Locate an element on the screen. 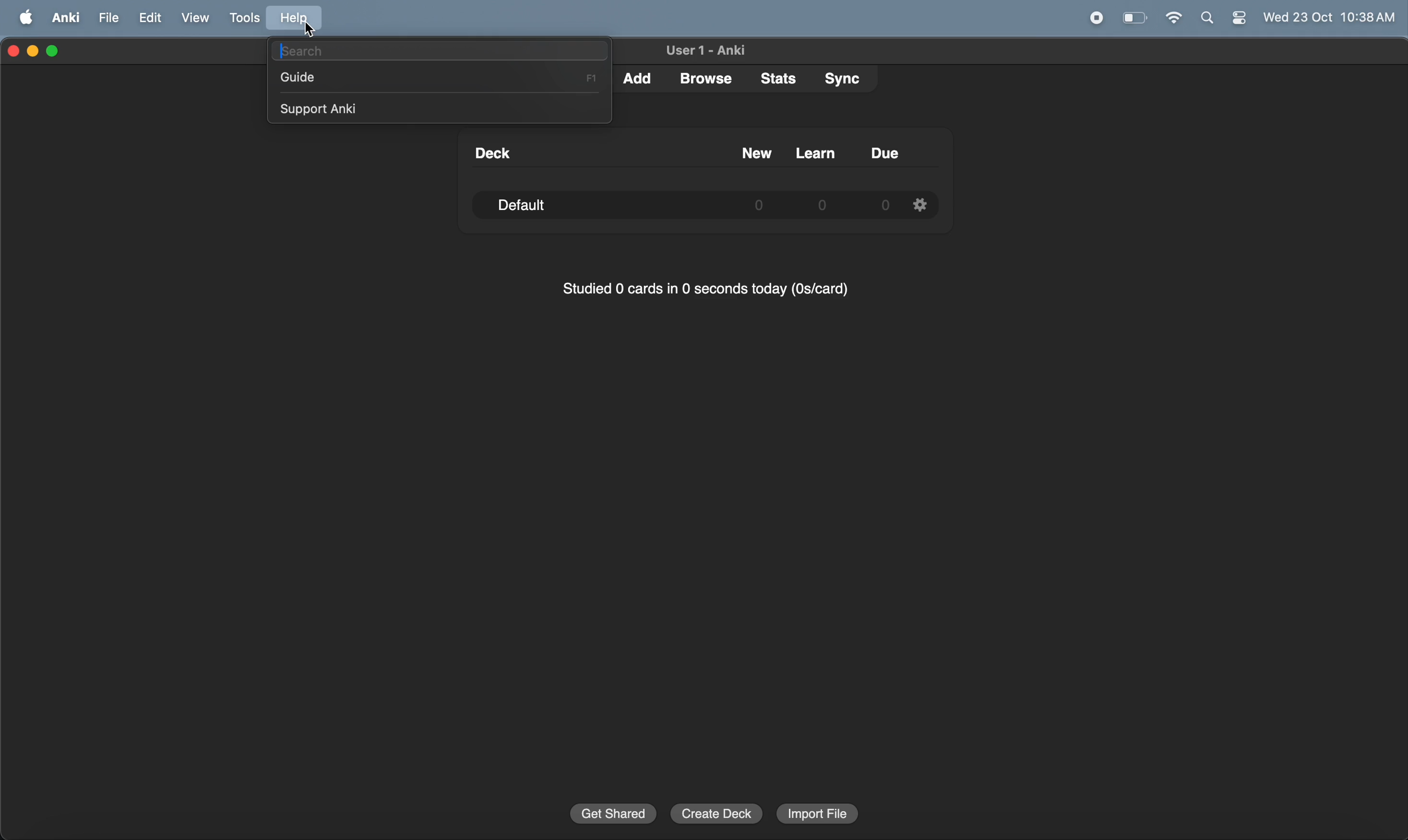  stats is located at coordinates (772, 78).